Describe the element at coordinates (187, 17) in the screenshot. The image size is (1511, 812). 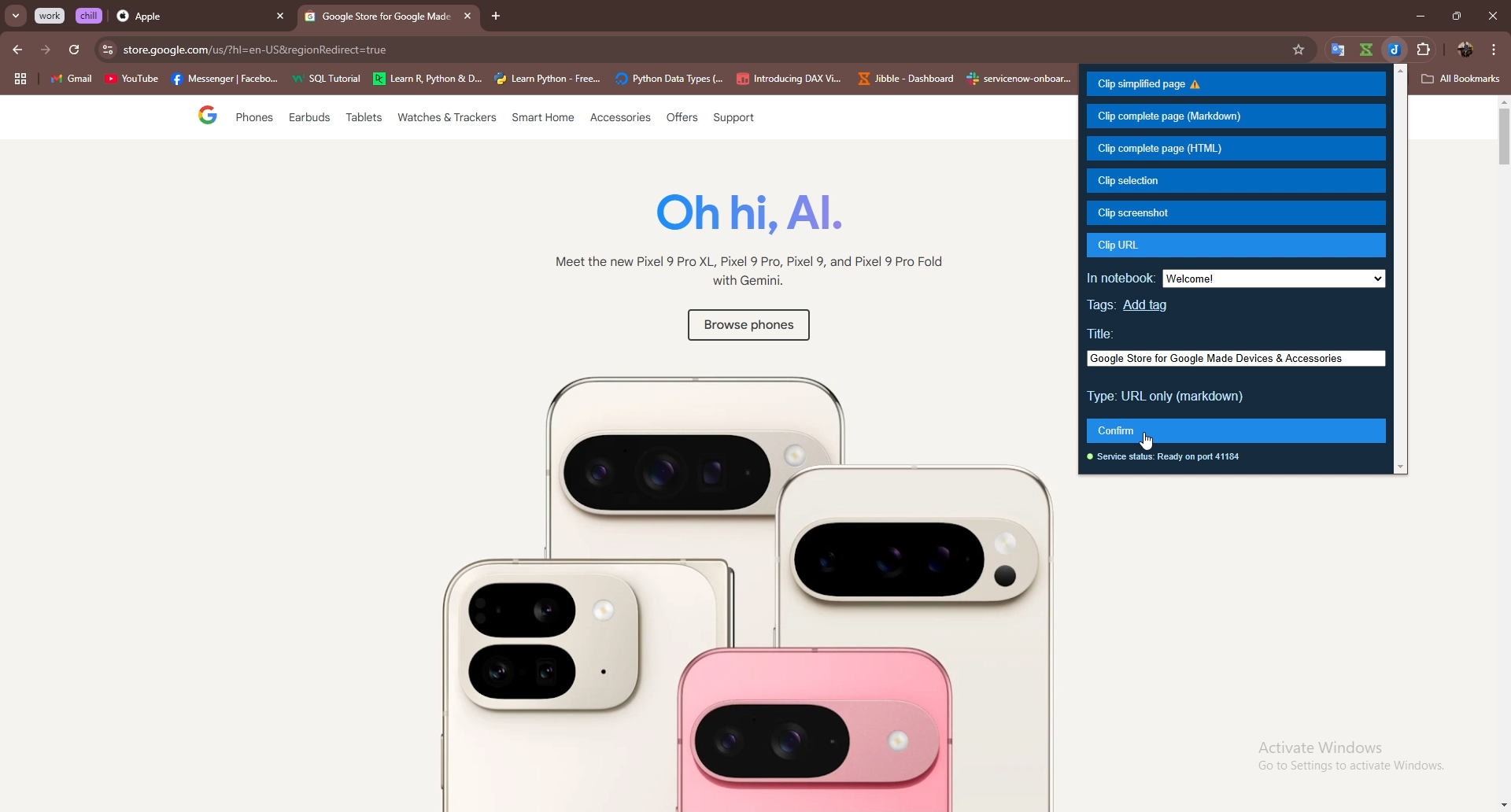
I see `Apple` at that location.